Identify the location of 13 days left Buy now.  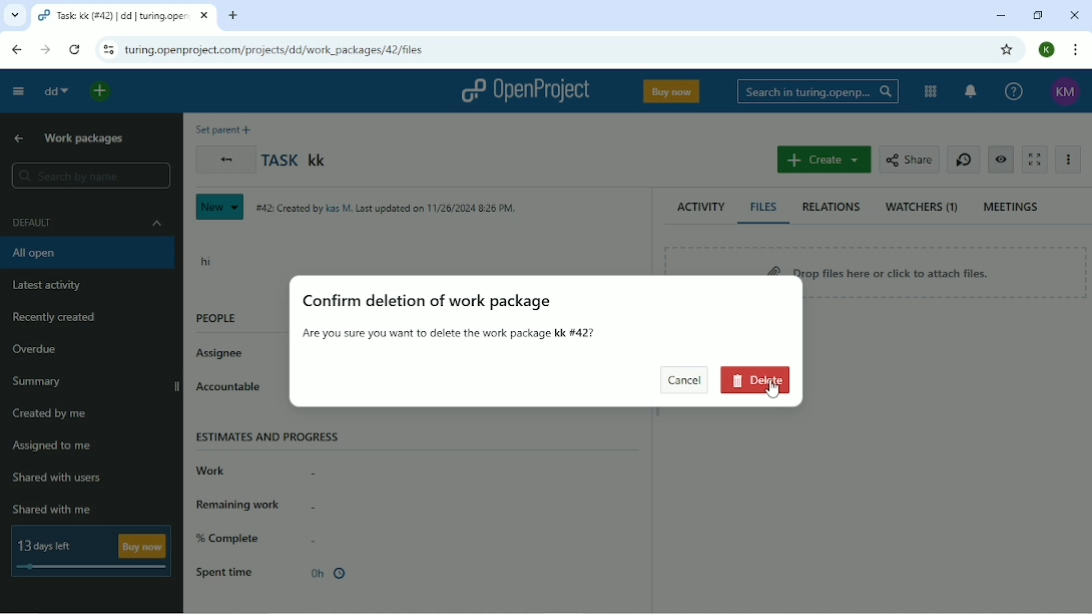
(92, 551).